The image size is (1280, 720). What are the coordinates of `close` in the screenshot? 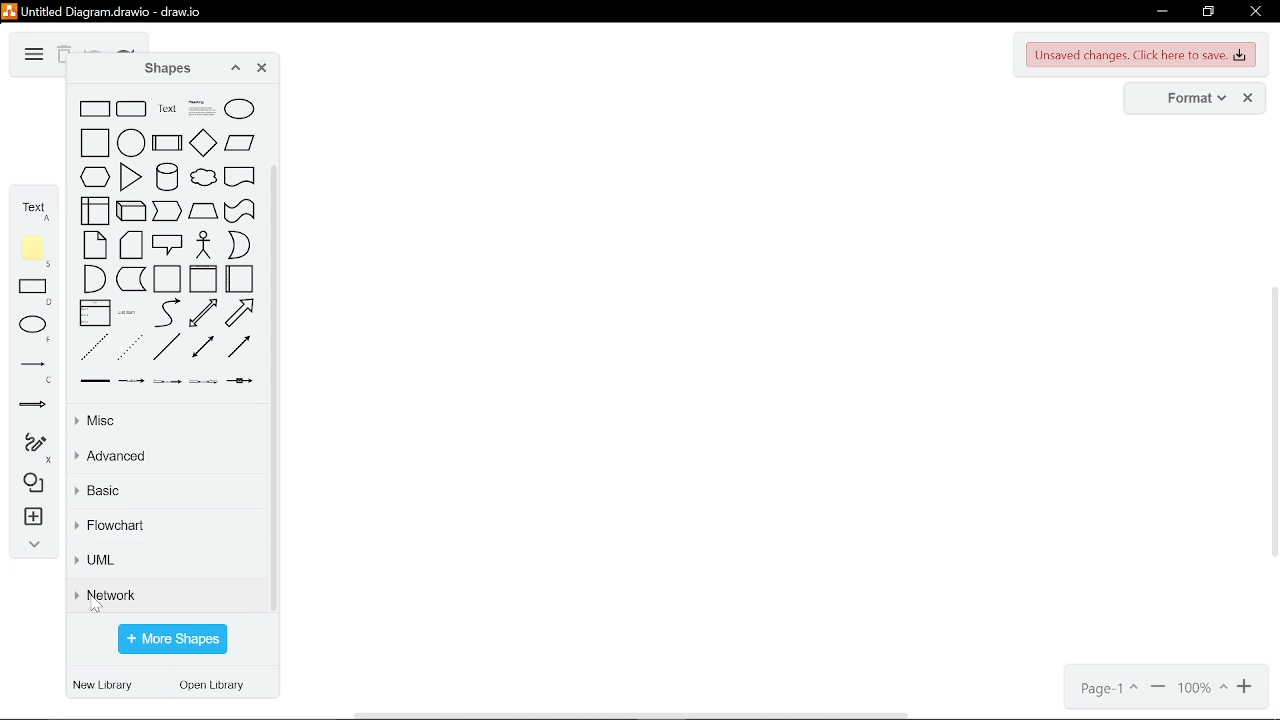 It's located at (1254, 13).